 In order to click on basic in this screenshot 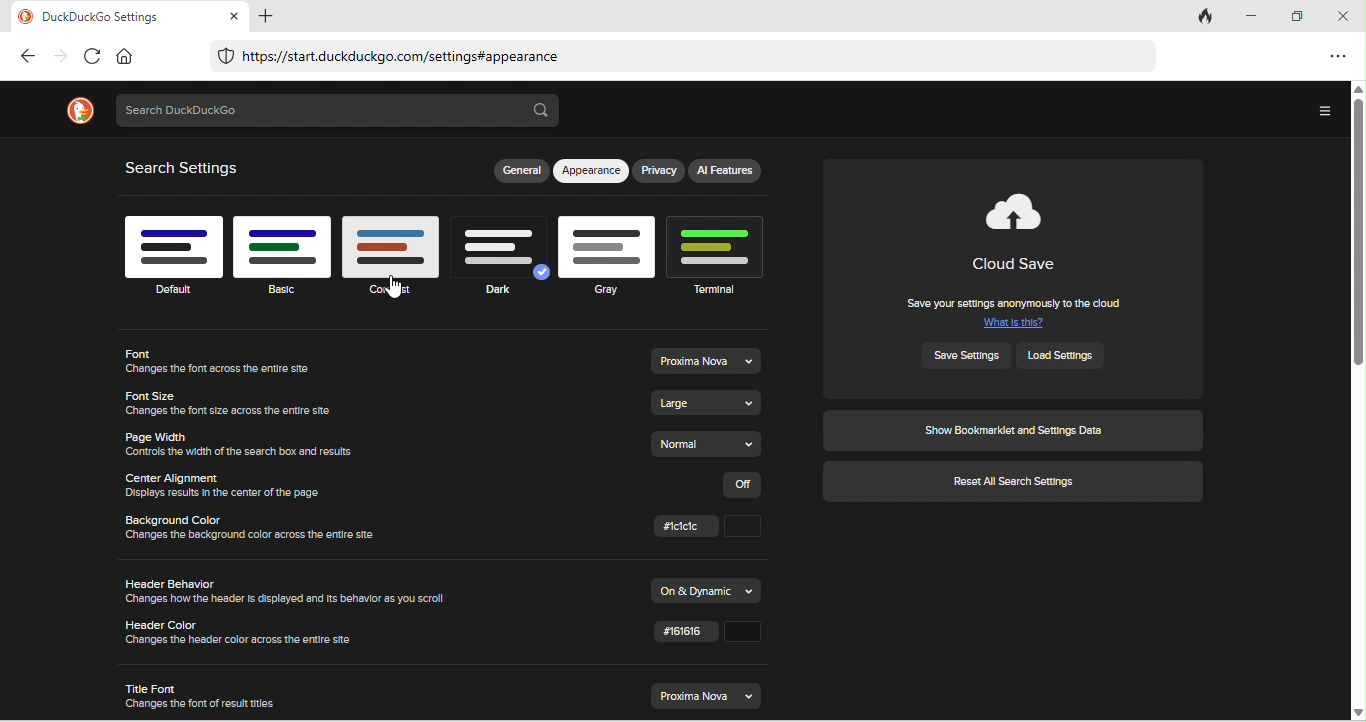, I will do `click(283, 256)`.